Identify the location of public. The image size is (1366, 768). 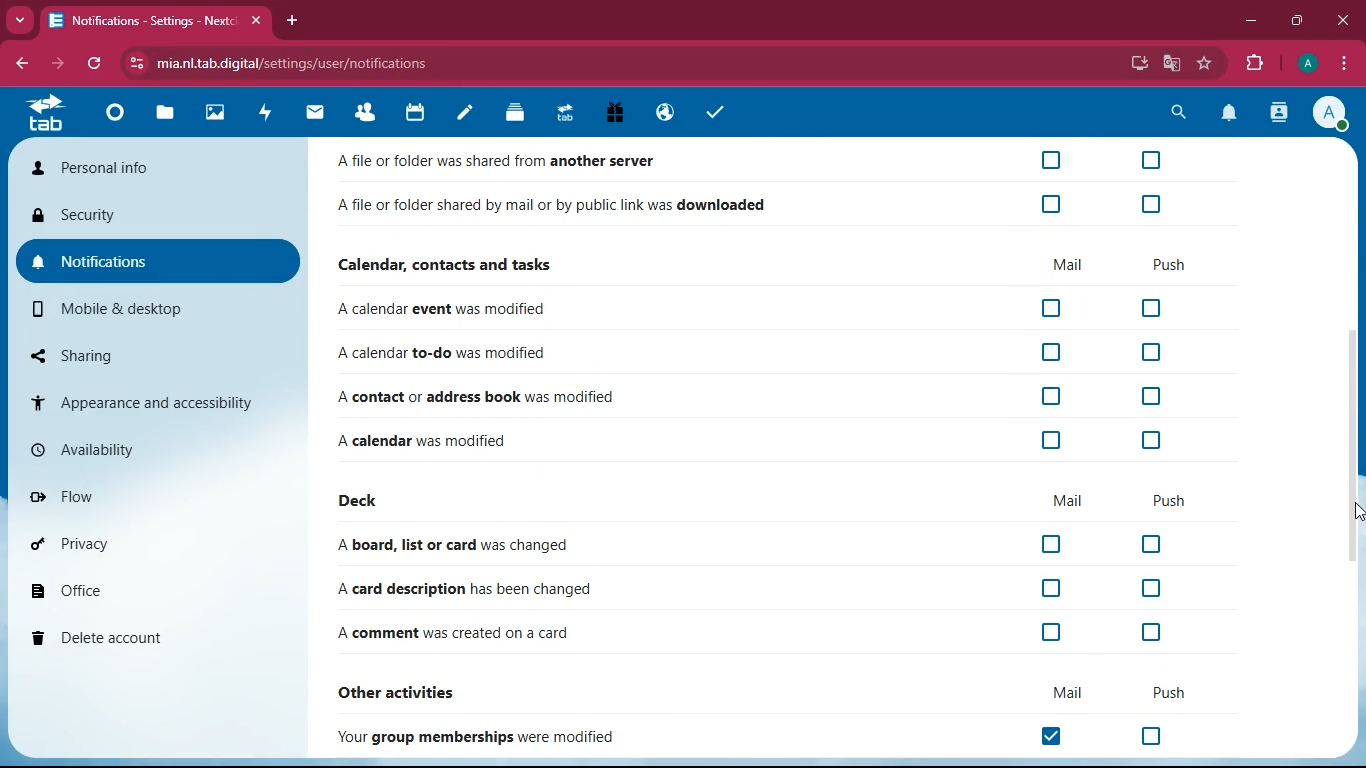
(663, 114).